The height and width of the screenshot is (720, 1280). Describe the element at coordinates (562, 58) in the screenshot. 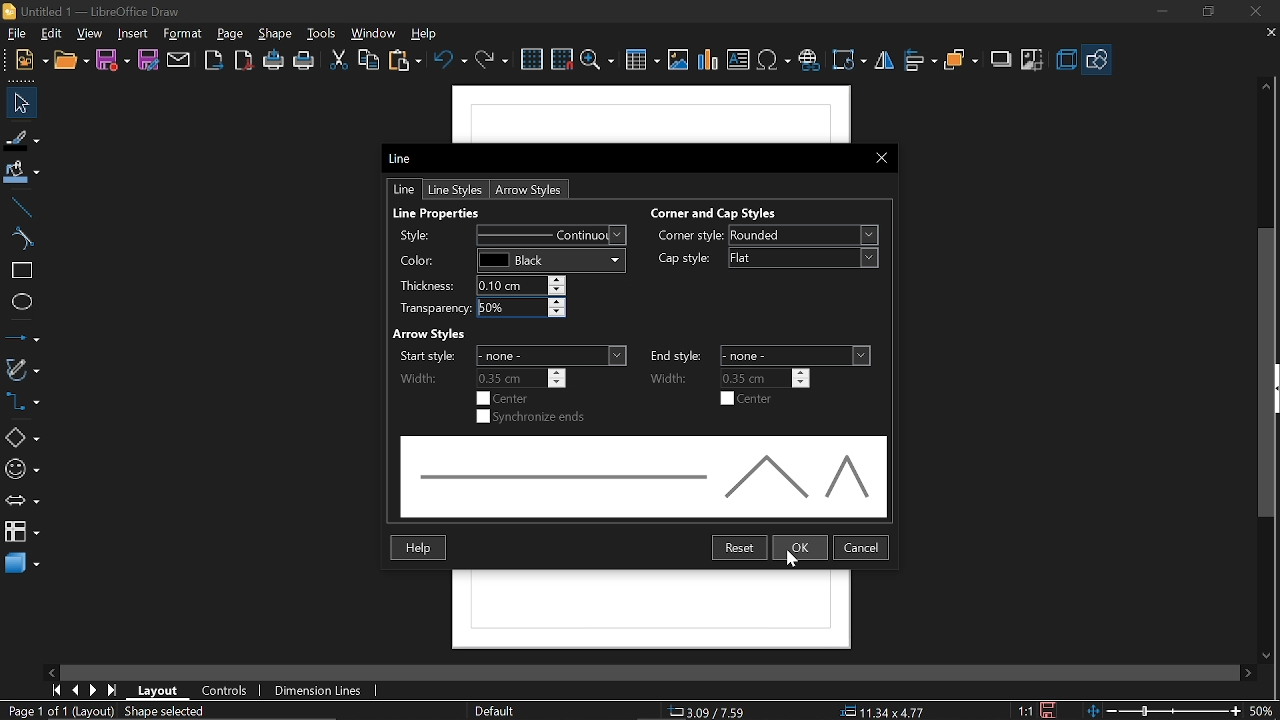

I see `snap to grid` at that location.